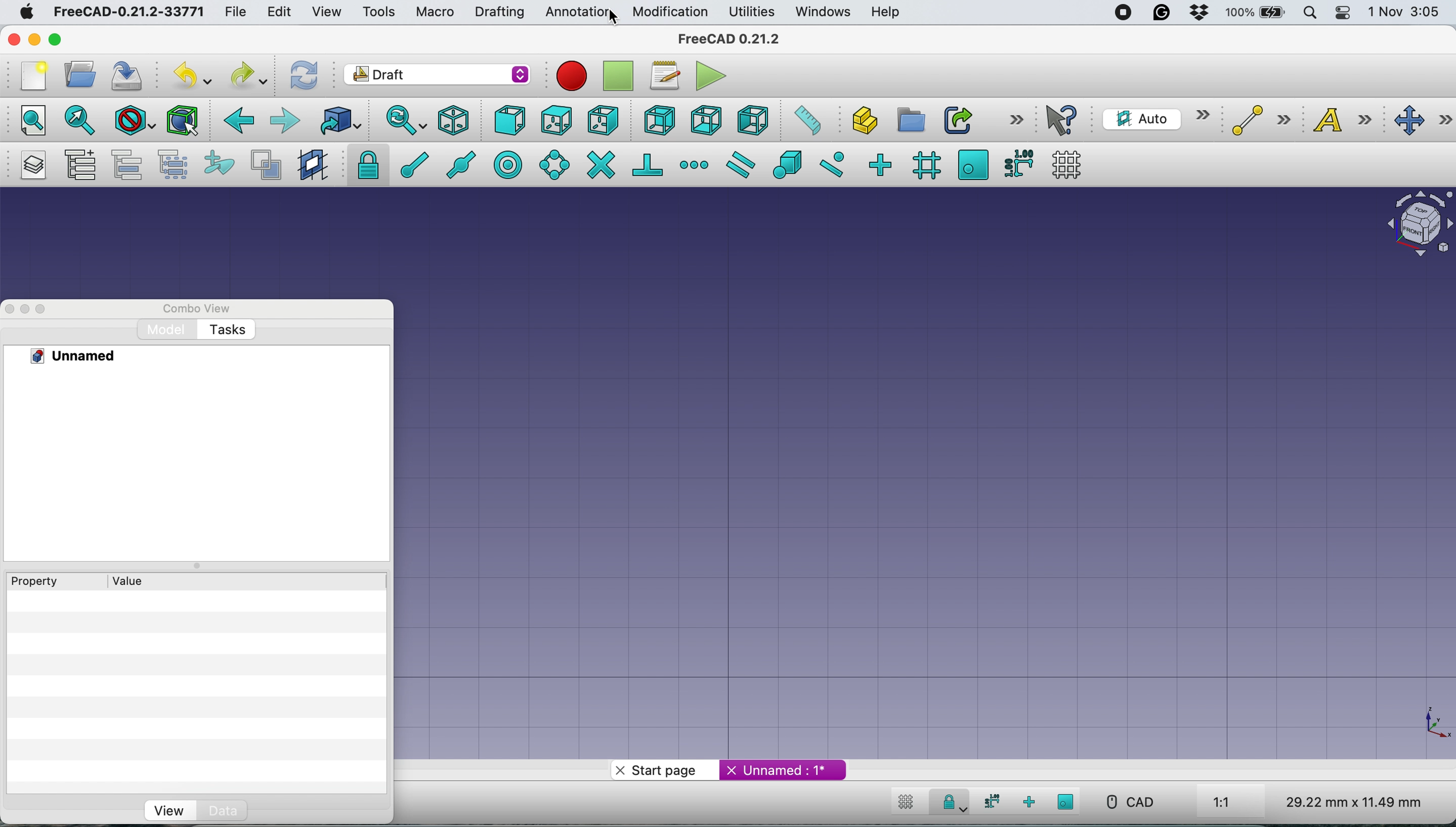 This screenshot has height=827, width=1456. Describe the element at coordinates (506, 168) in the screenshot. I see `snap center` at that location.